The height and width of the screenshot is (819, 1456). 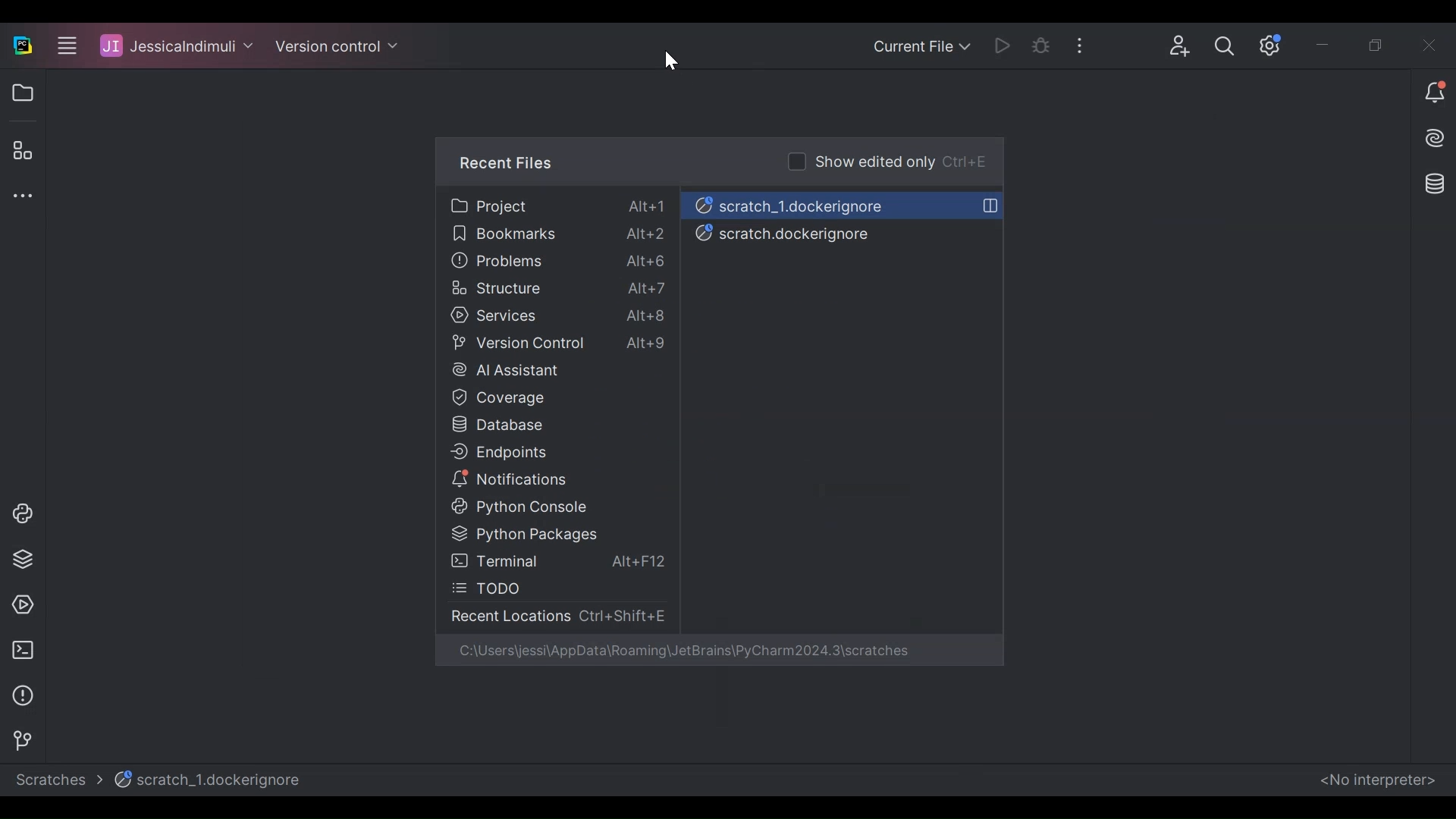 I want to click on Notifications, so click(x=551, y=480).